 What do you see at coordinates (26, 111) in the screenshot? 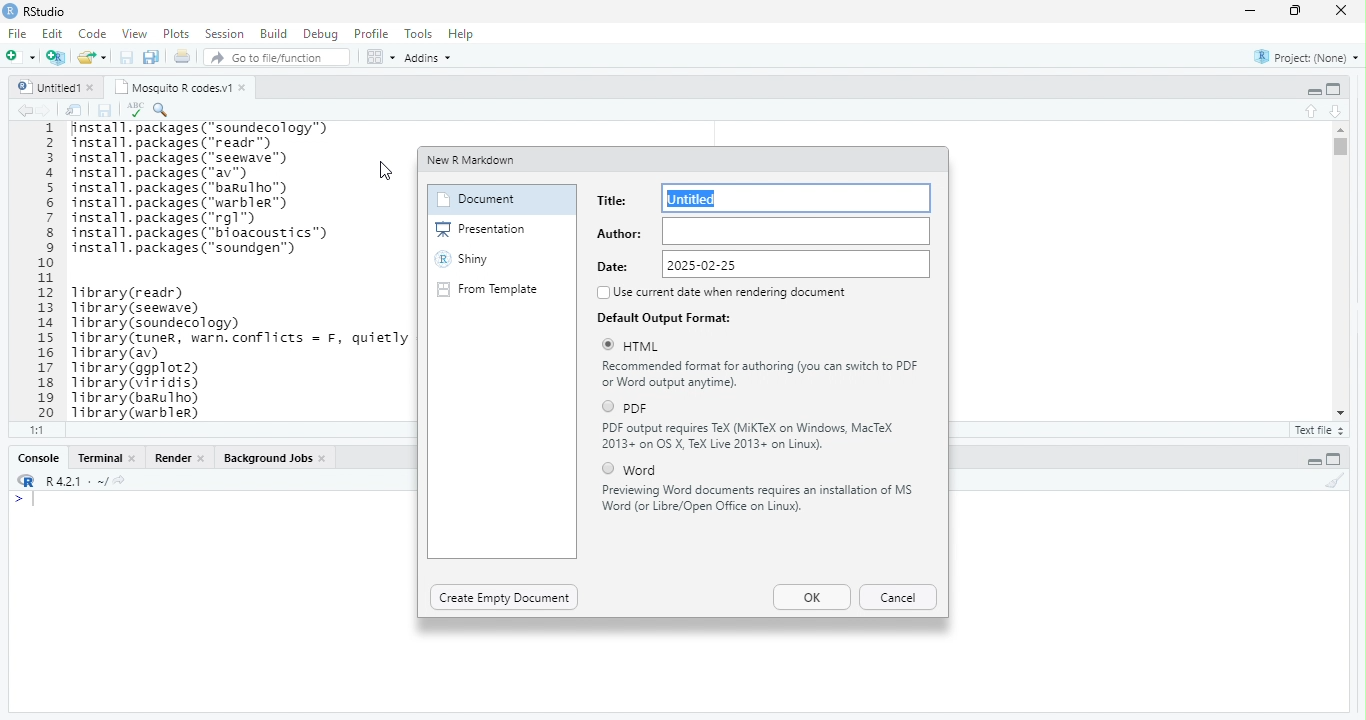
I see `backward` at bounding box center [26, 111].